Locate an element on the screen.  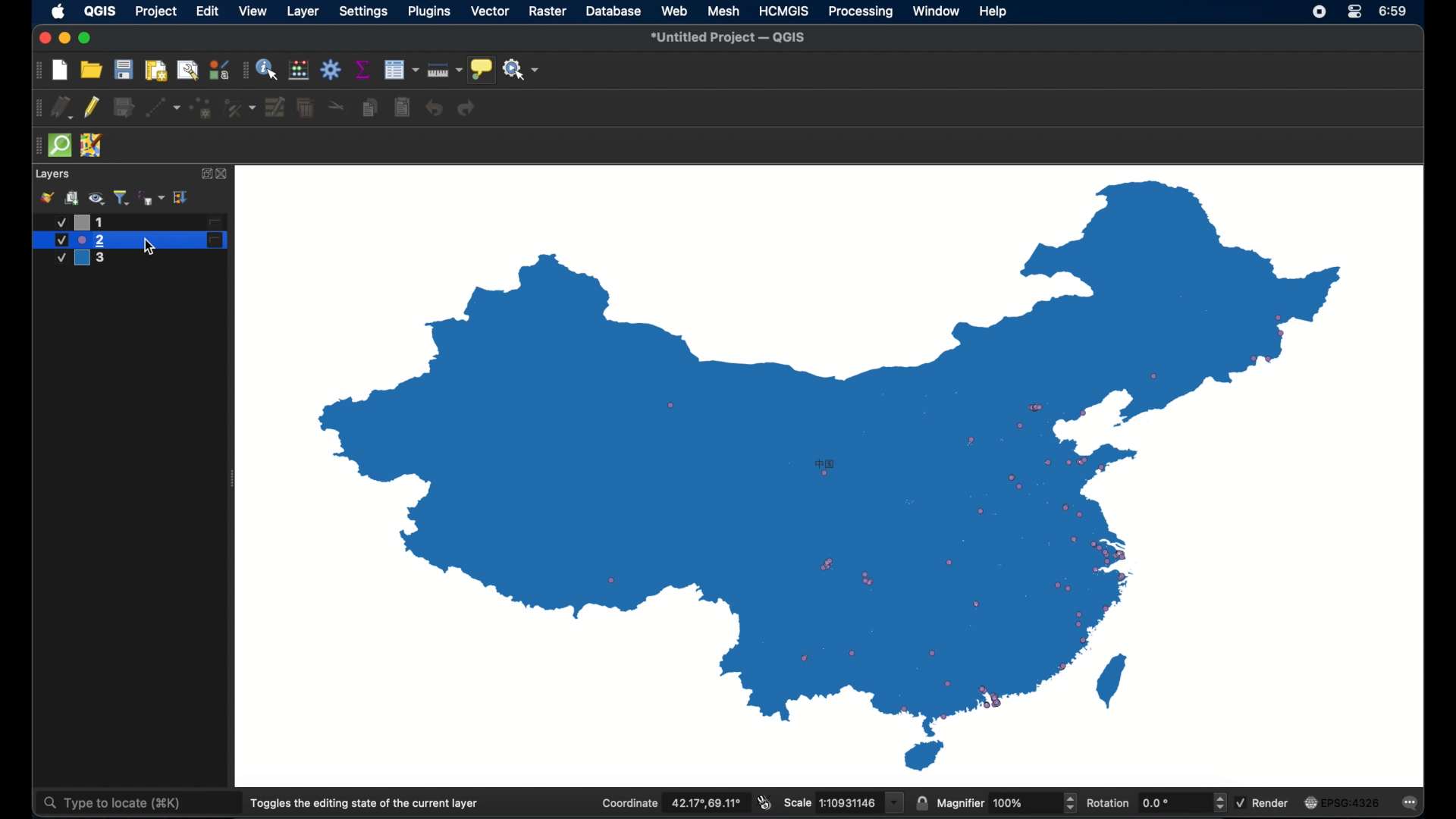
lock scale is located at coordinates (921, 803).